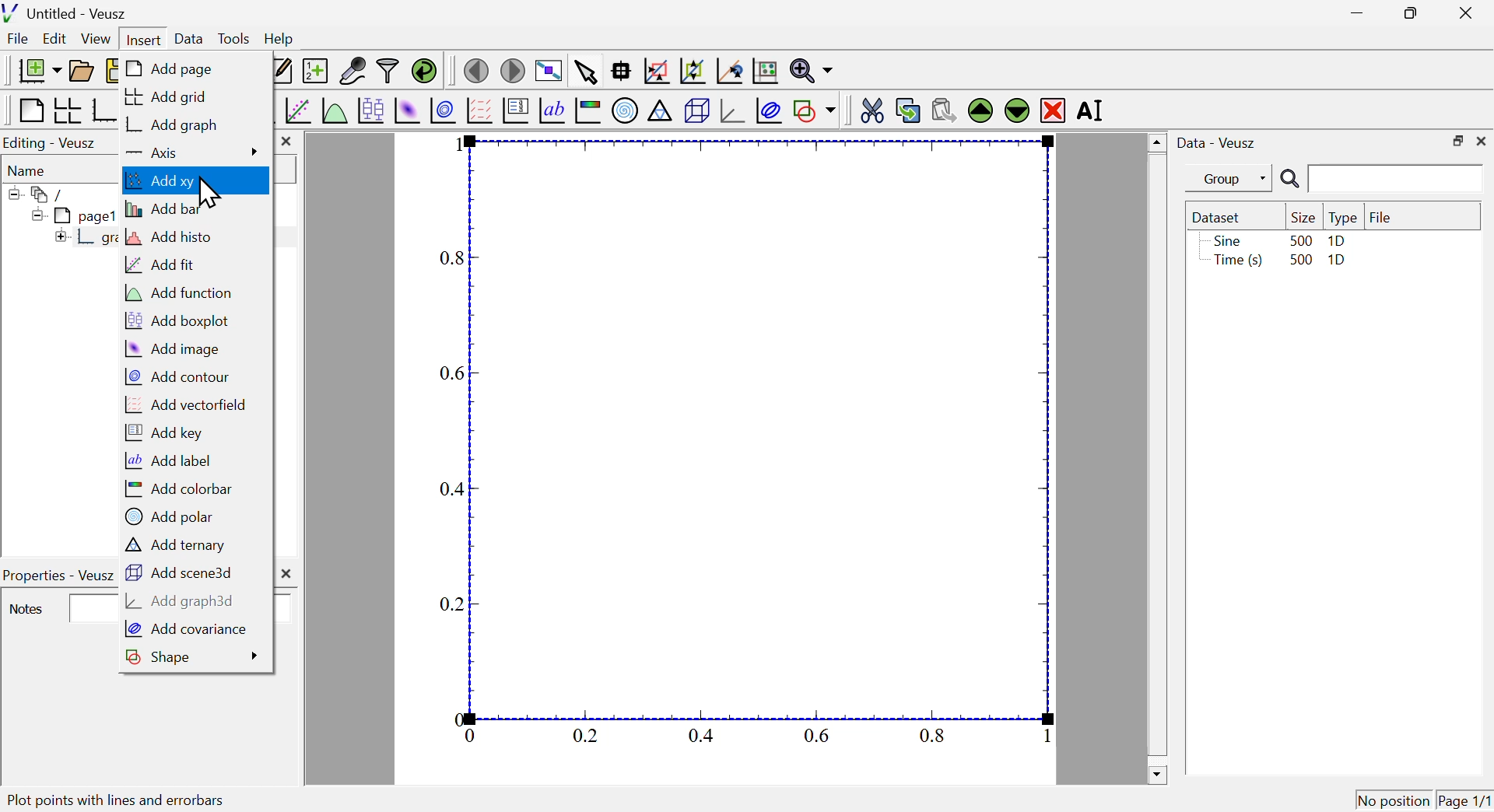 The image size is (1494, 812). What do you see at coordinates (27, 610) in the screenshot?
I see `notes` at bounding box center [27, 610].